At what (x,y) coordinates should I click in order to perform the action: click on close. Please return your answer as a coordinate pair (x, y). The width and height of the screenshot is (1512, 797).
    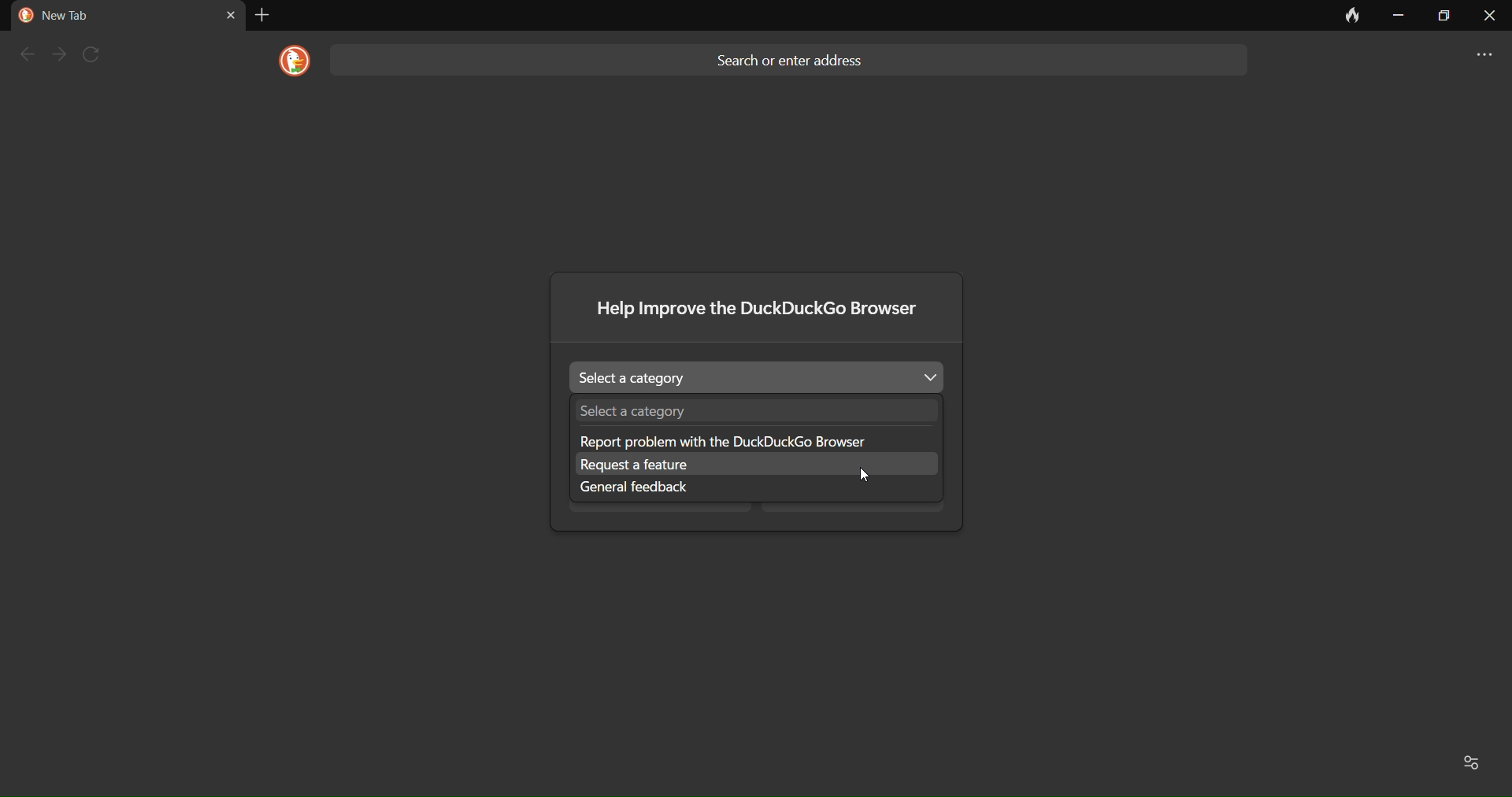
    Looking at the image, I should click on (1489, 20).